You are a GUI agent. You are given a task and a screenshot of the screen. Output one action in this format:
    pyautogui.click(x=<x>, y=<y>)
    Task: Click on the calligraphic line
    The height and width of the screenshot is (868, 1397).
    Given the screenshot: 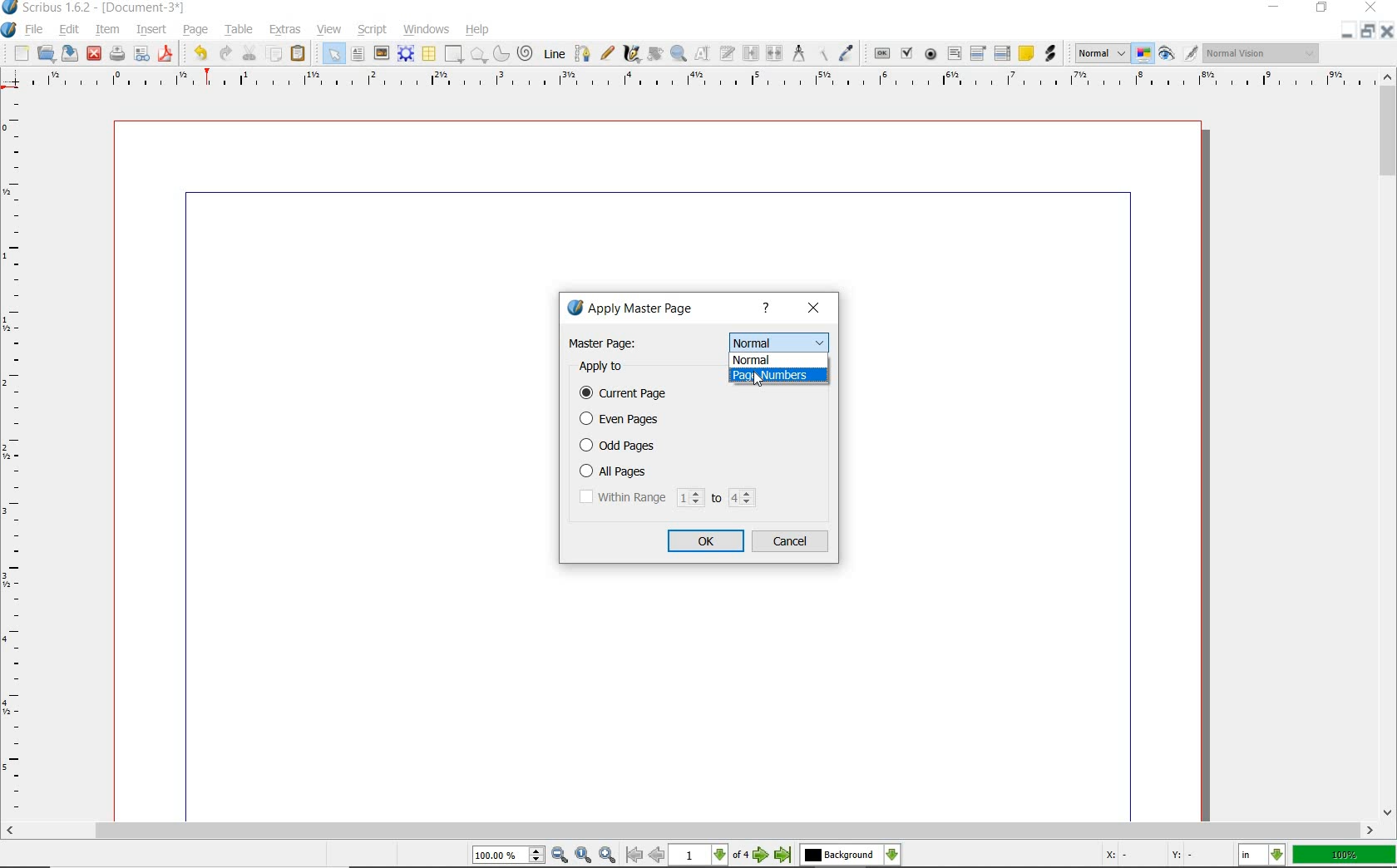 What is the action you would take?
    pyautogui.click(x=632, y=55)
    